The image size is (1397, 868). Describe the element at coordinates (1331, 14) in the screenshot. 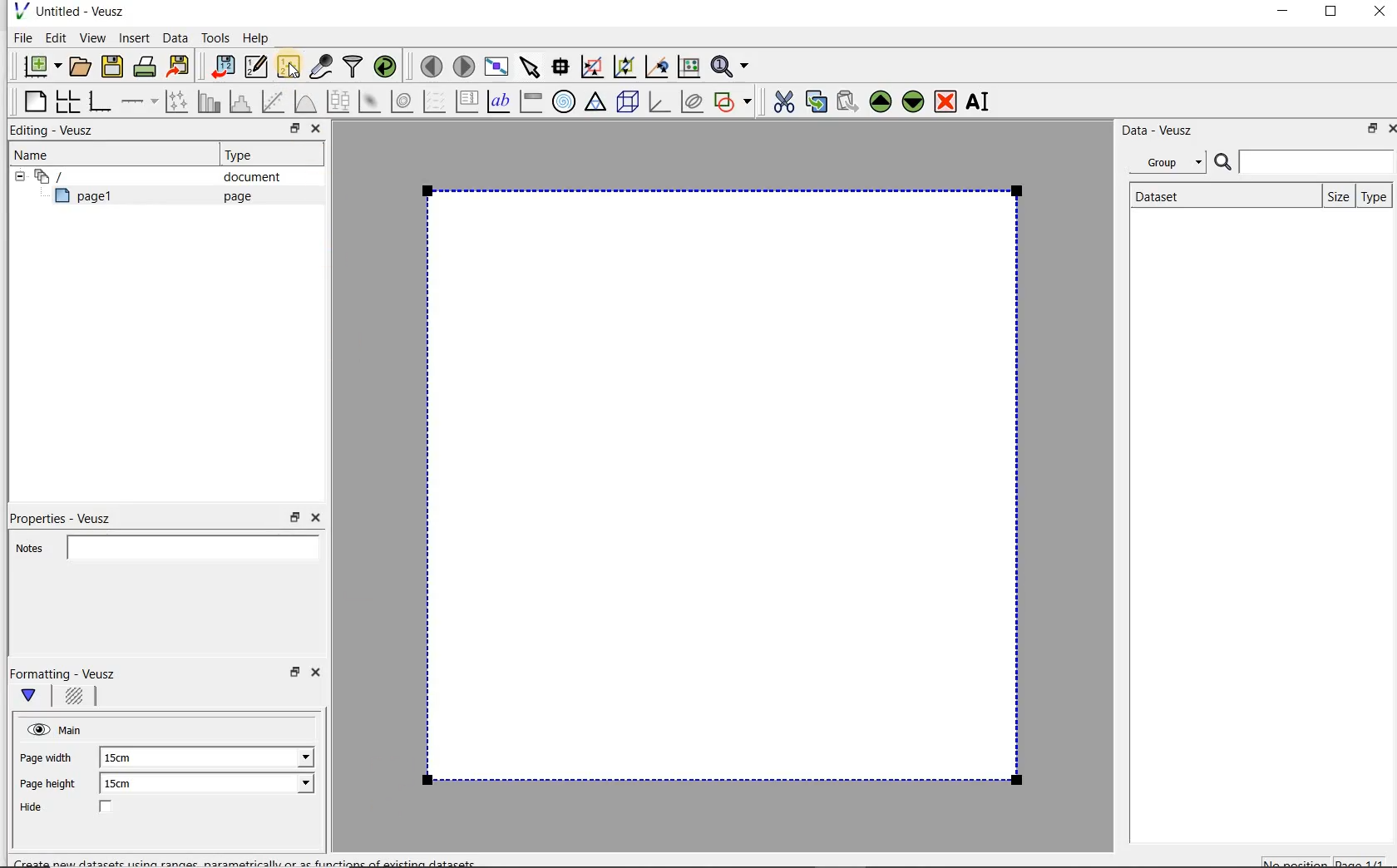

I see `maximize` at that location.